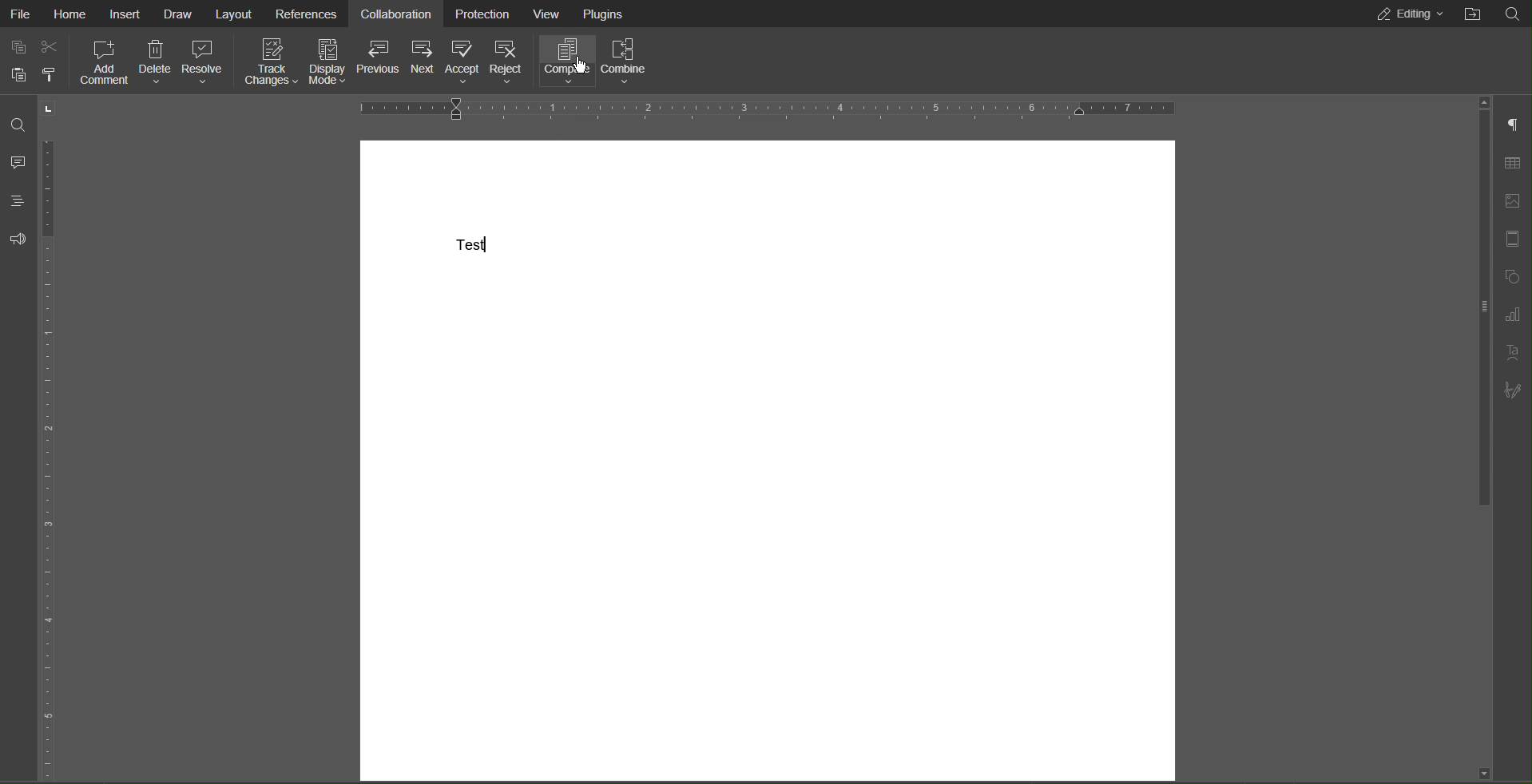 The width and height of the screenshot is (1532, 784). What do you see at coordinates (308, 14) in the screenshot?
I see `References` at bounding box center [308, 14].